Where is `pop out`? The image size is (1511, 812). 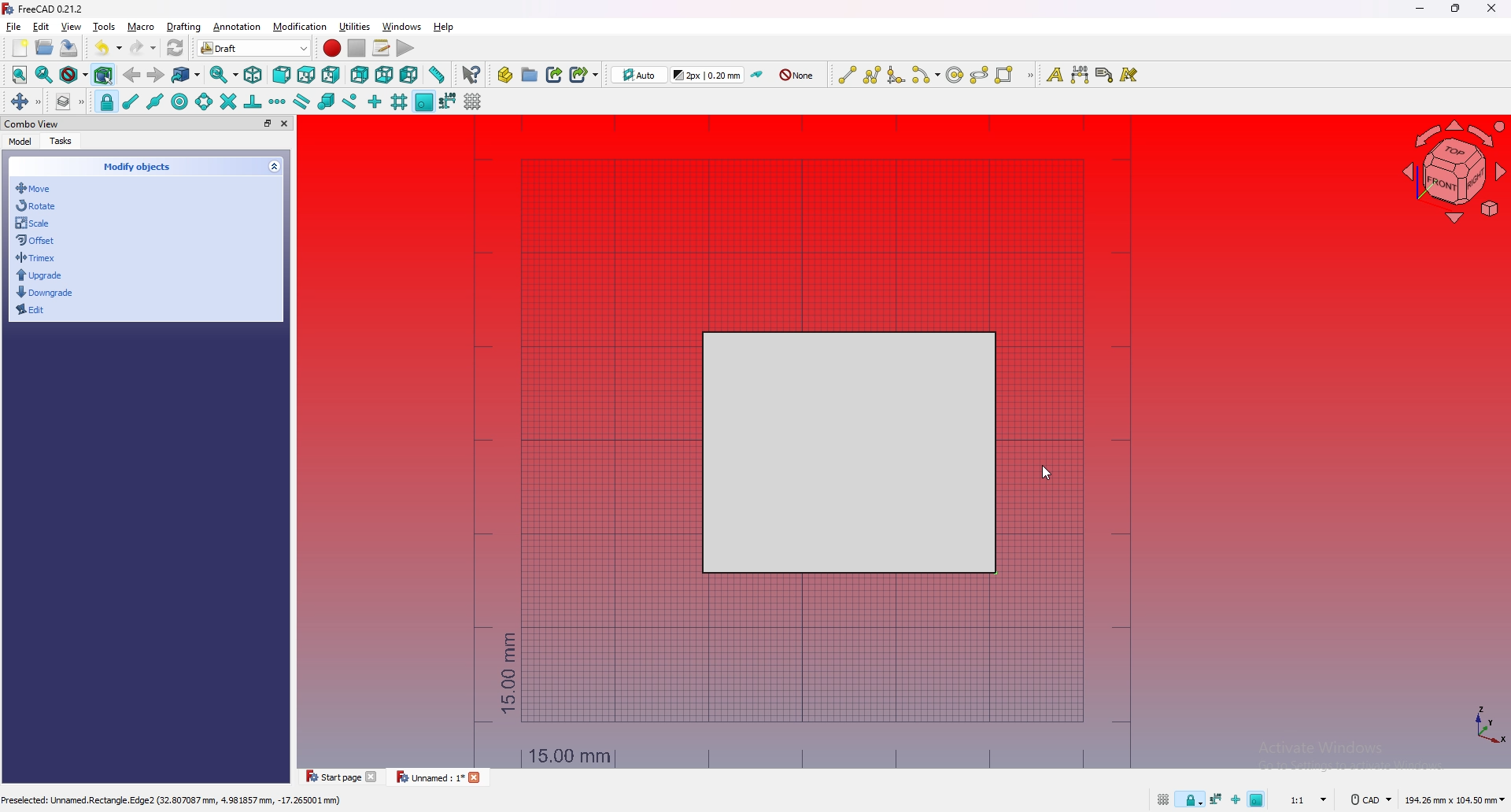 pop out is located at coordinates (267, 123).